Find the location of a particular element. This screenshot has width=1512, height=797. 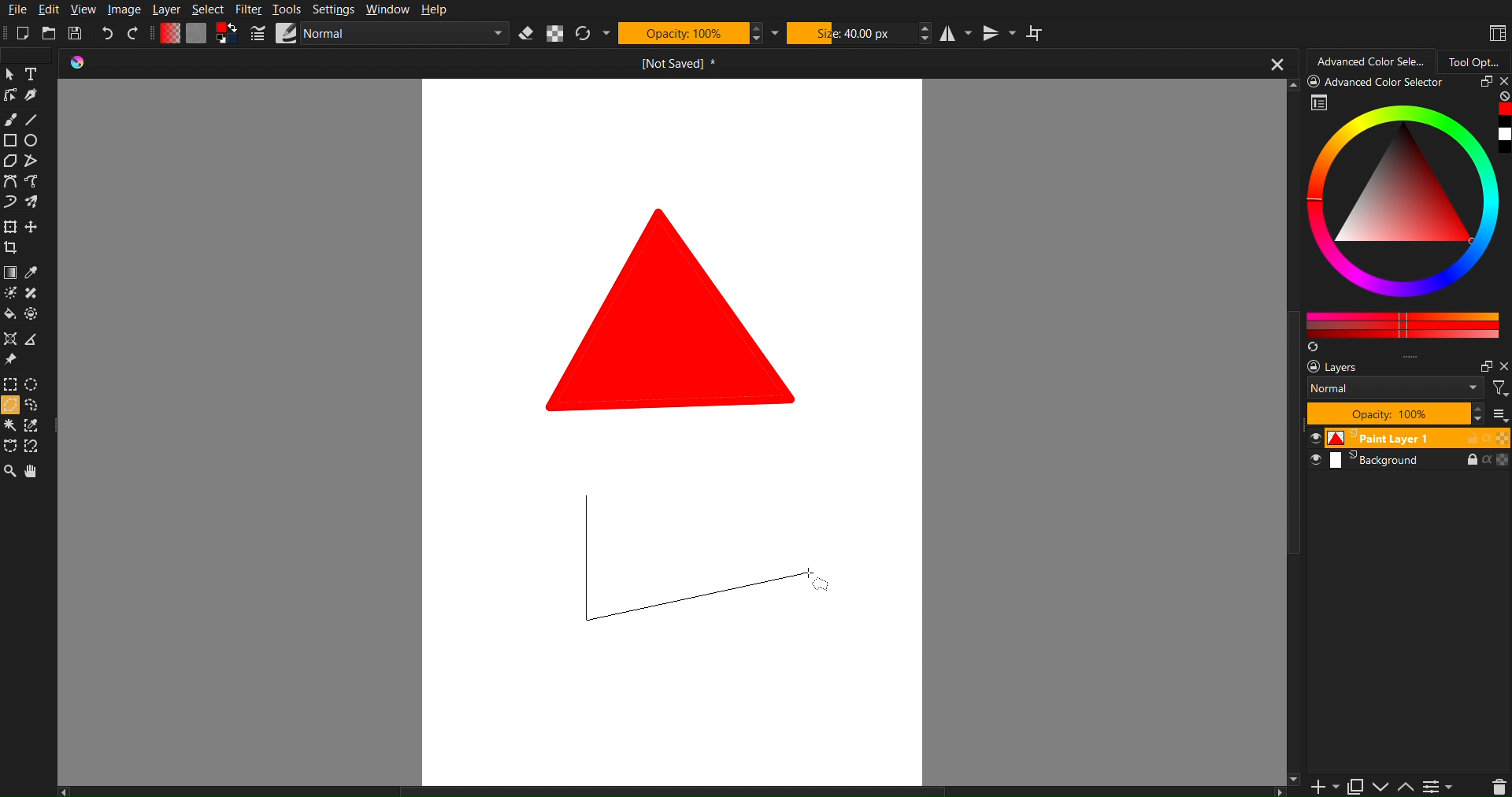

Curve is located at coordinates (9, 204).